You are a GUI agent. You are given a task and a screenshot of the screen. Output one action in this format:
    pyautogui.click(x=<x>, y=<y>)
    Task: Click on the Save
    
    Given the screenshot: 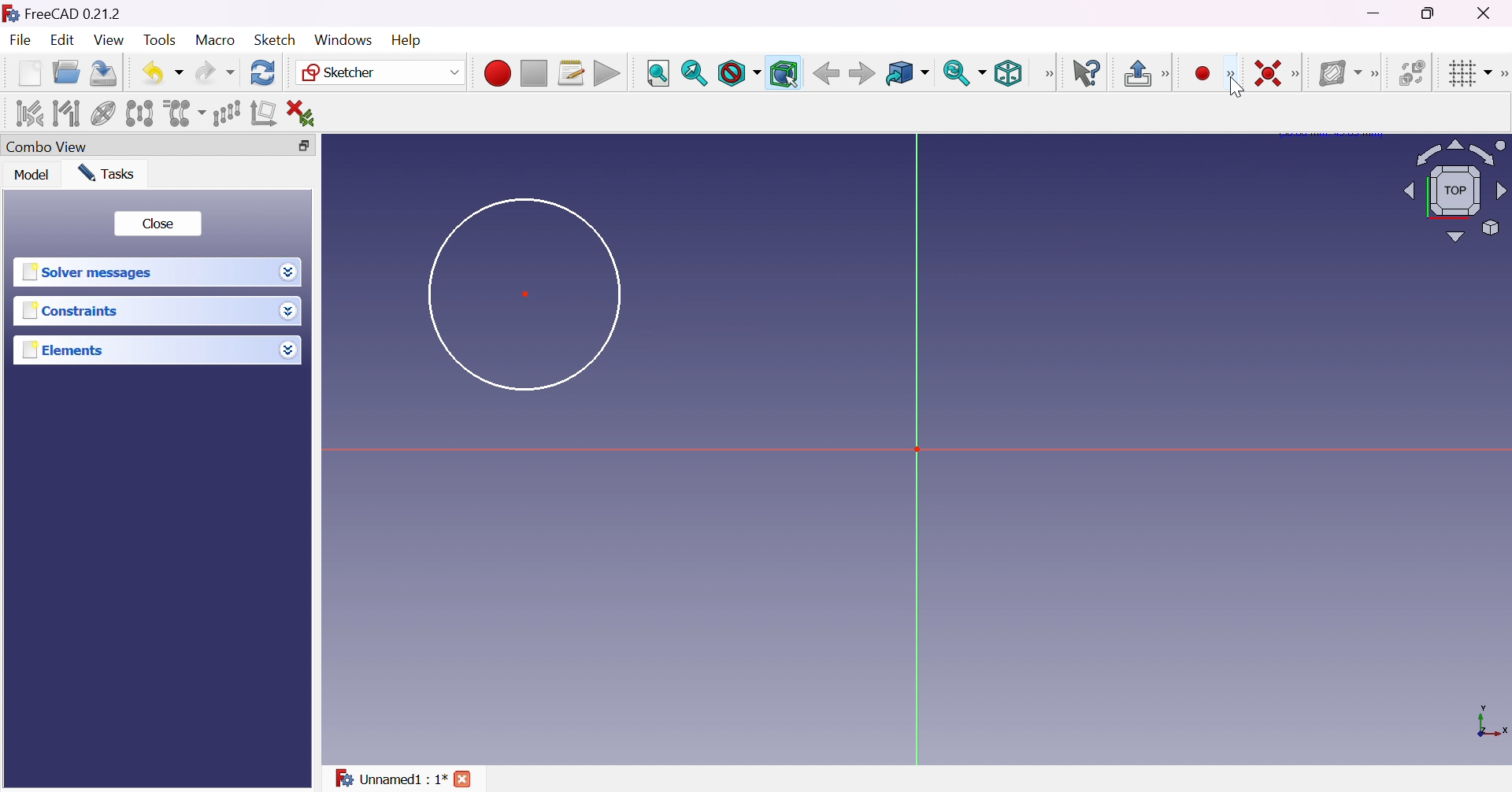 What is the action you would take?
    pyautogui.click(x=101, y=72)
    